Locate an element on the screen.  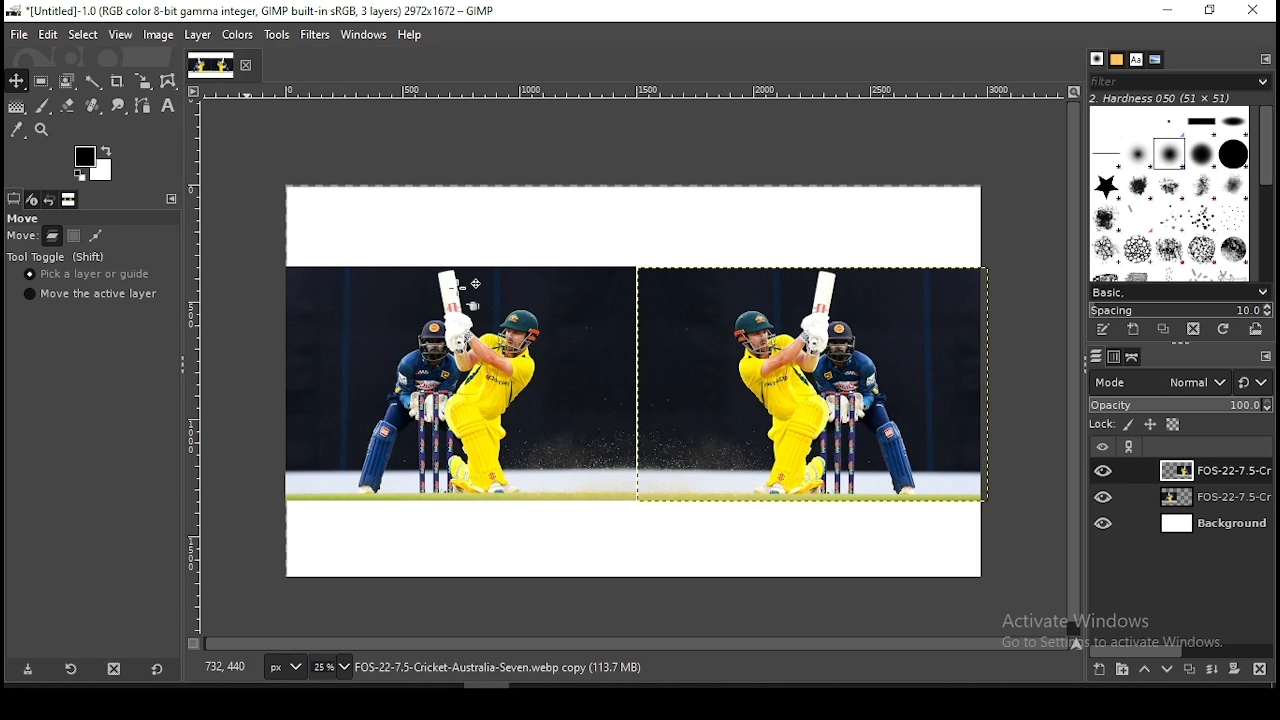
Minimise  is located at coordinates (1167, 10).